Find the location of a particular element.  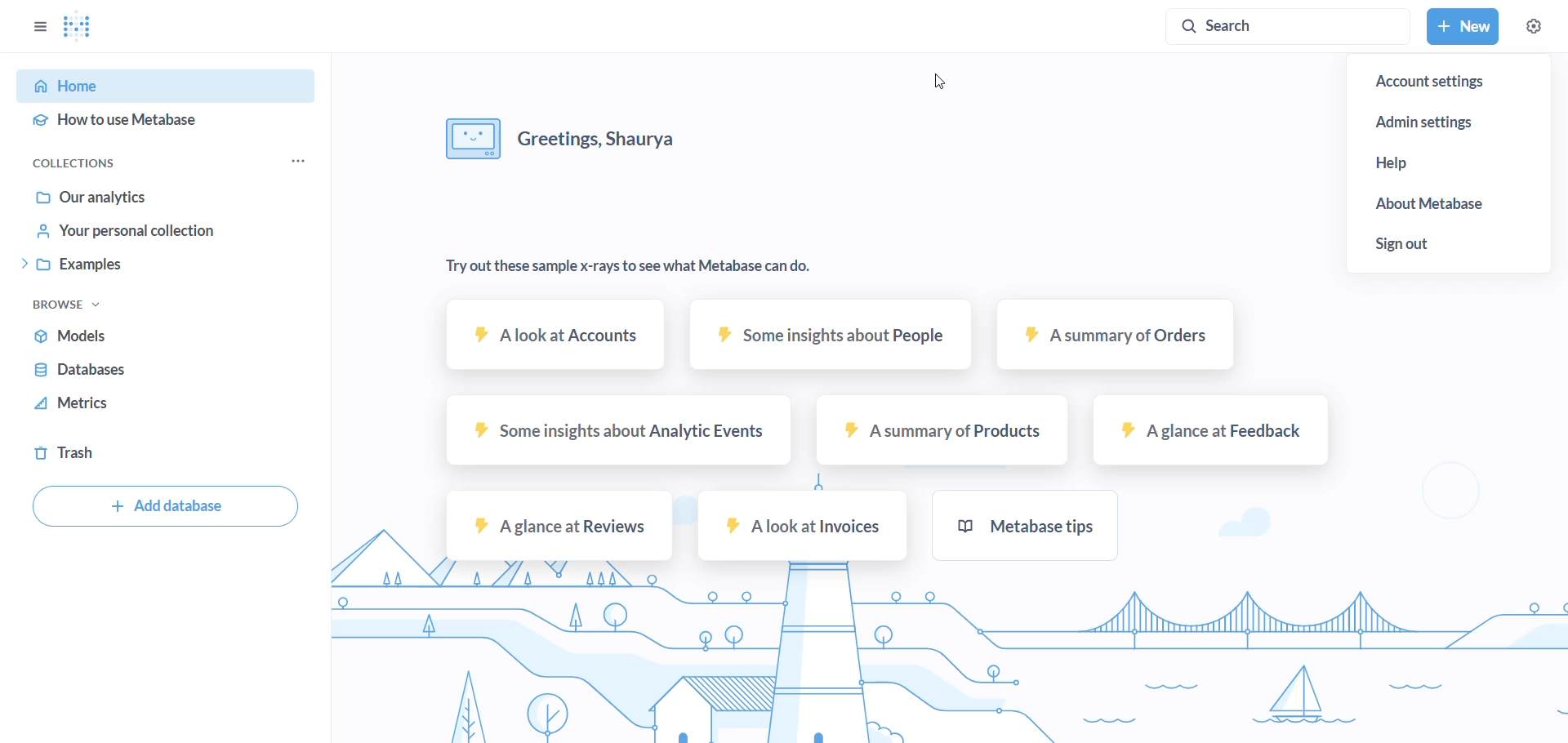

account settings is located at coordinates (1432, 82).